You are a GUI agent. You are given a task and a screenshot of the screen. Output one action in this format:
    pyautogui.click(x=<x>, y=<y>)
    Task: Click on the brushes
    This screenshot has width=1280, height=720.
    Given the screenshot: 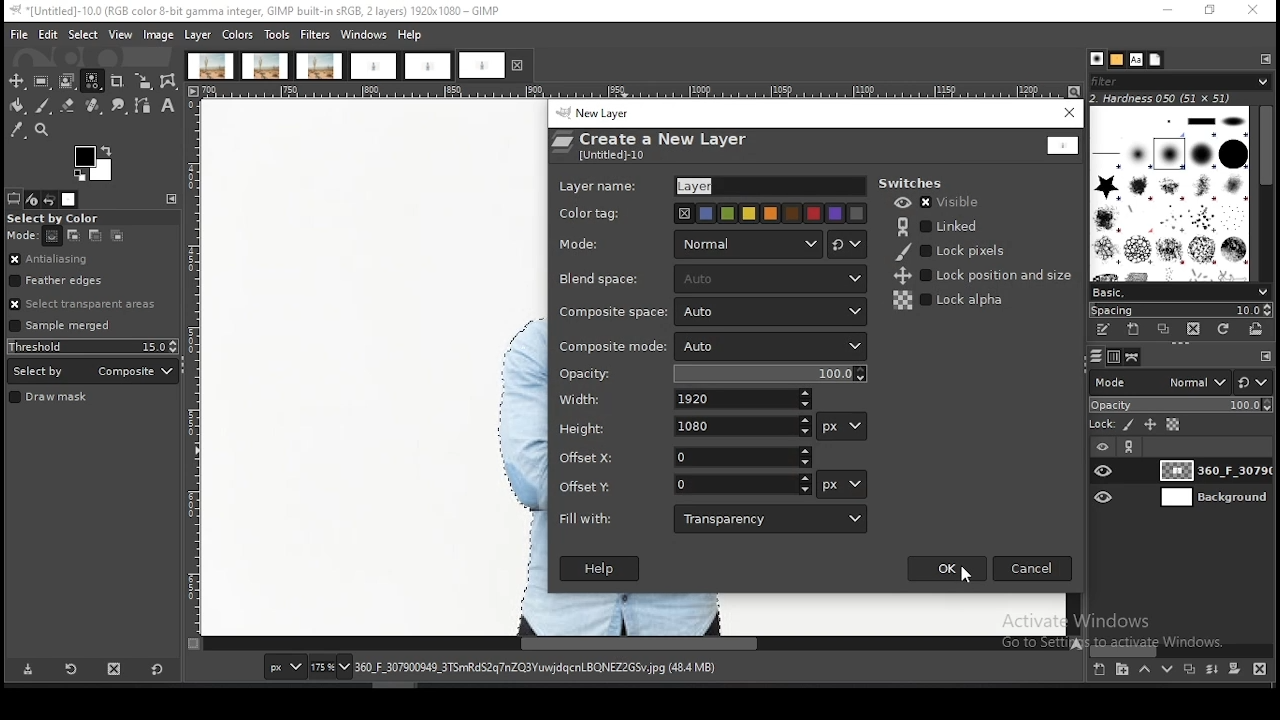 What is the action you would take?
    pyautogui.click(x=1096, y=59)
    